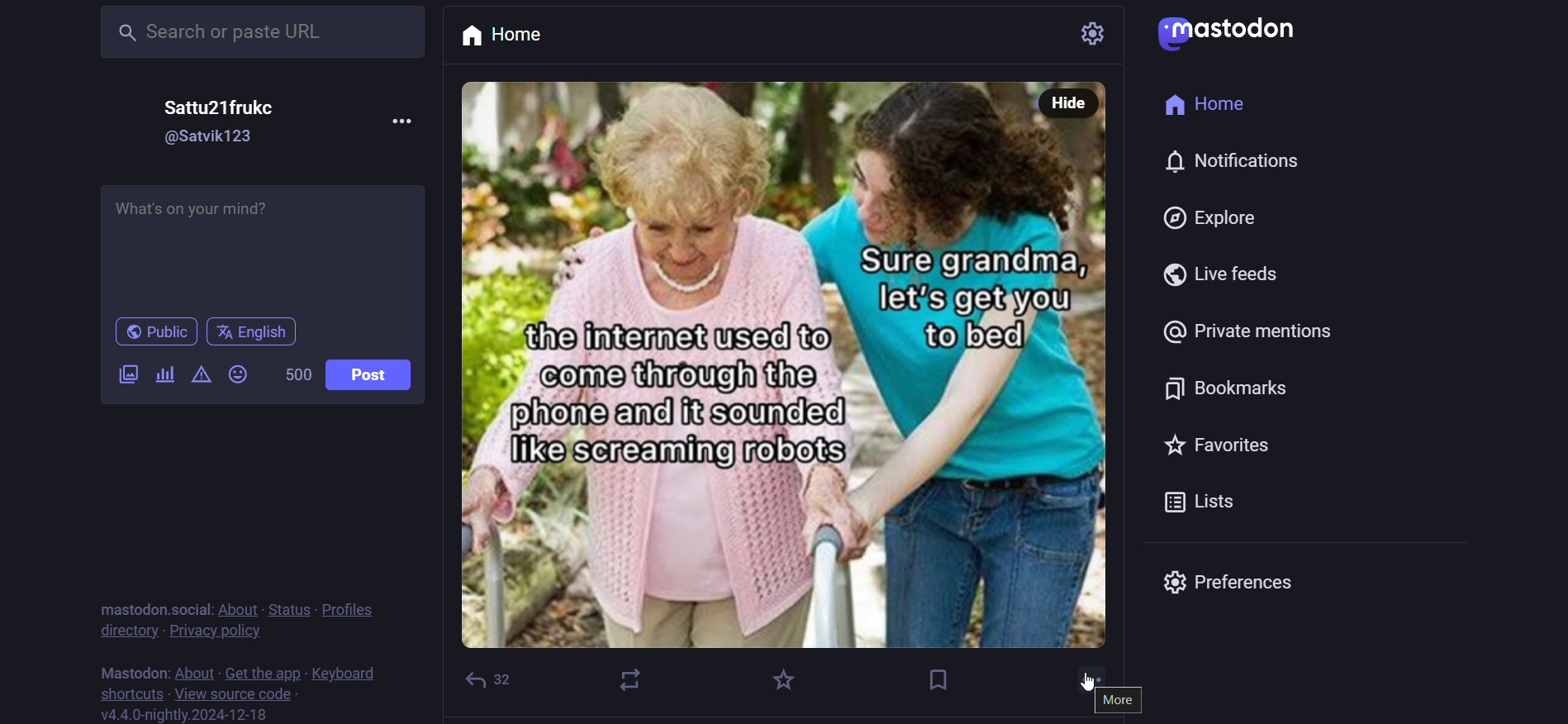 Image resolution: width=1568 pixels, height=724 pixels. Describe the element at coordinates (254, 331) in the screenshot. I see `english` at that location.